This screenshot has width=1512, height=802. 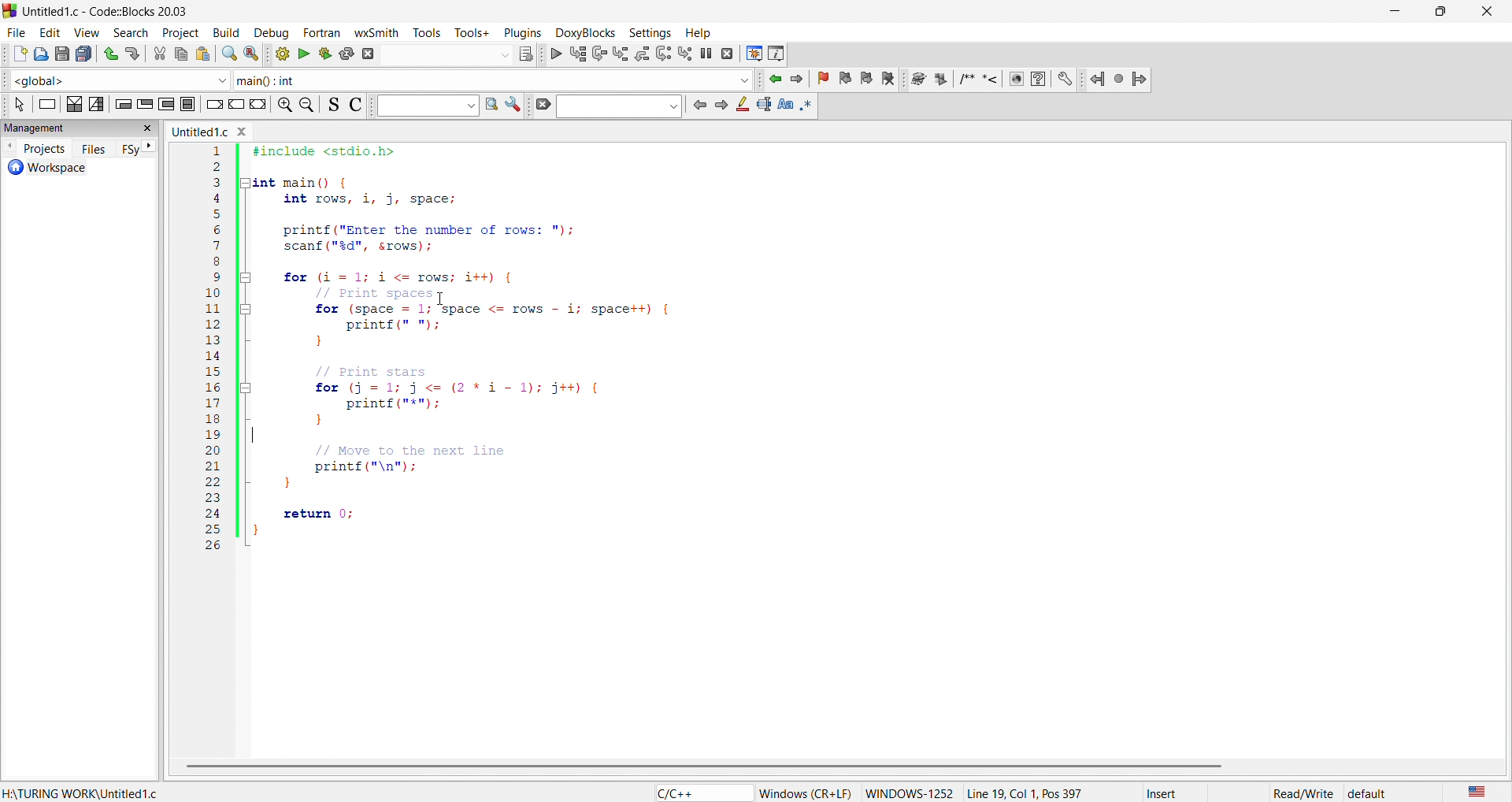 What do you see at coordinates (762, 105) in the screenshot?
I see `selected text` at bounding box center [762, 105].